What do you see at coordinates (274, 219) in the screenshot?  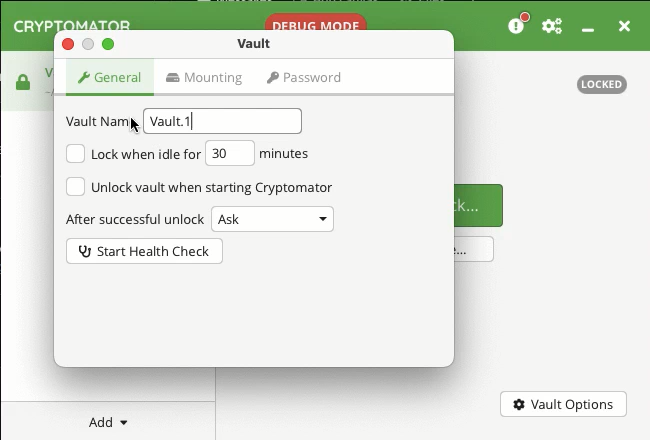 I see `Ask` at bounding box center [274, 219].